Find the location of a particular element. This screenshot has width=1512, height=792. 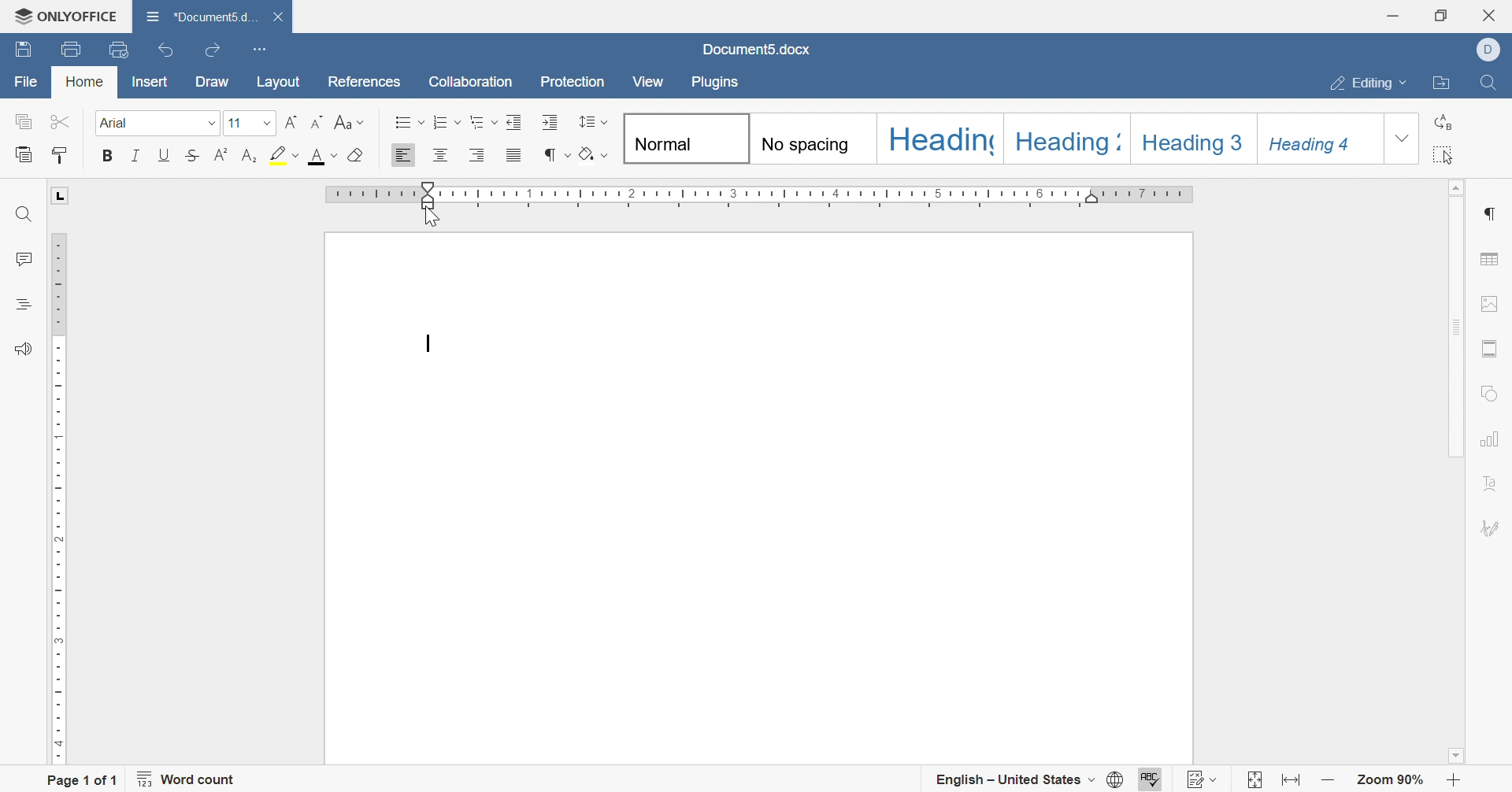

scroll down is located at coordinates (1454, 756).